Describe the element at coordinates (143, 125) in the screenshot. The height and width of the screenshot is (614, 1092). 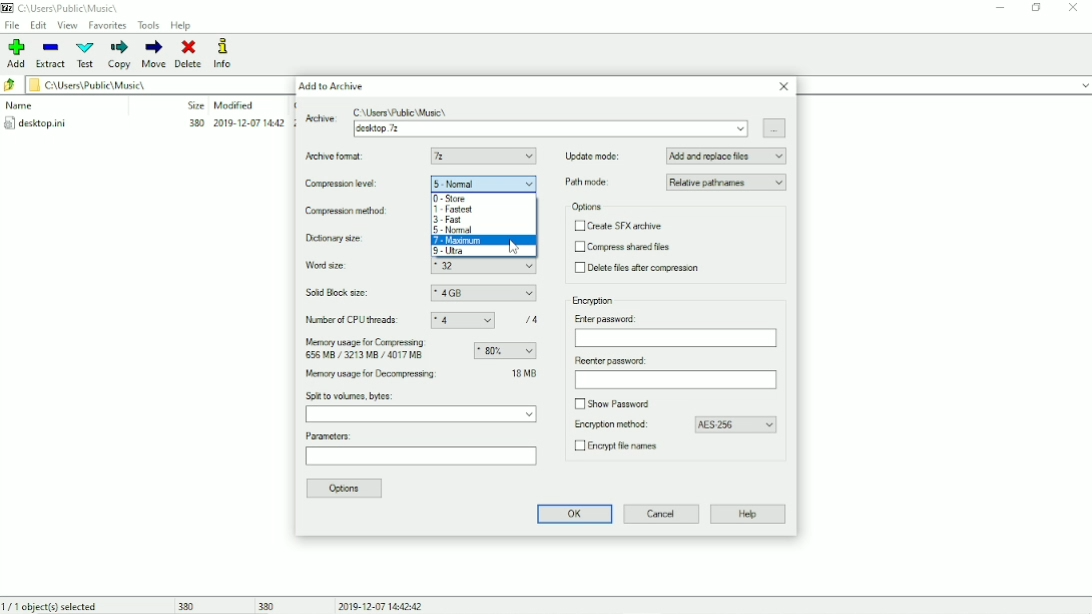
I see `desktop.ini` at that location.